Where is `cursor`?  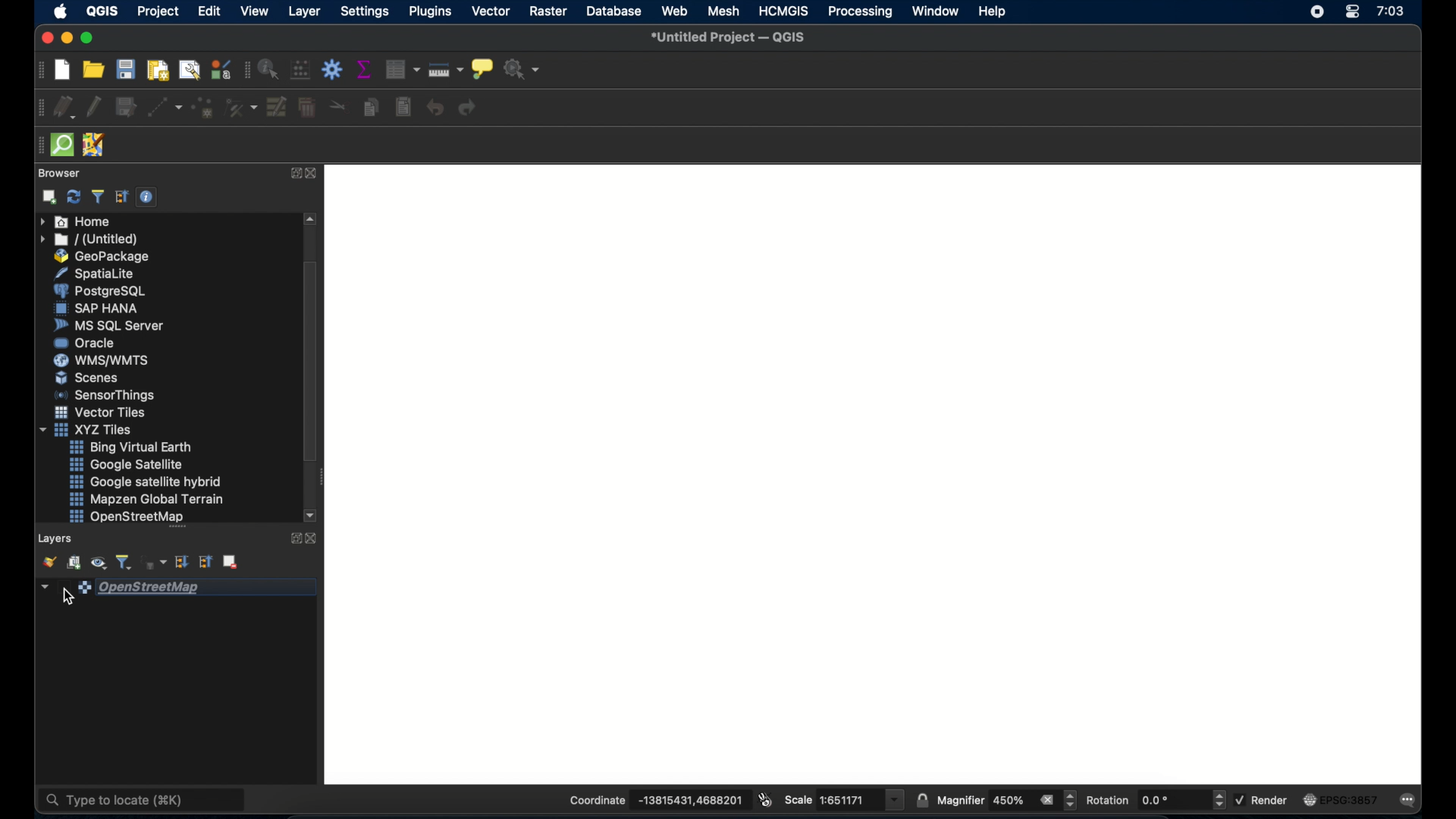
cursor is located at coordinates (68, 597).